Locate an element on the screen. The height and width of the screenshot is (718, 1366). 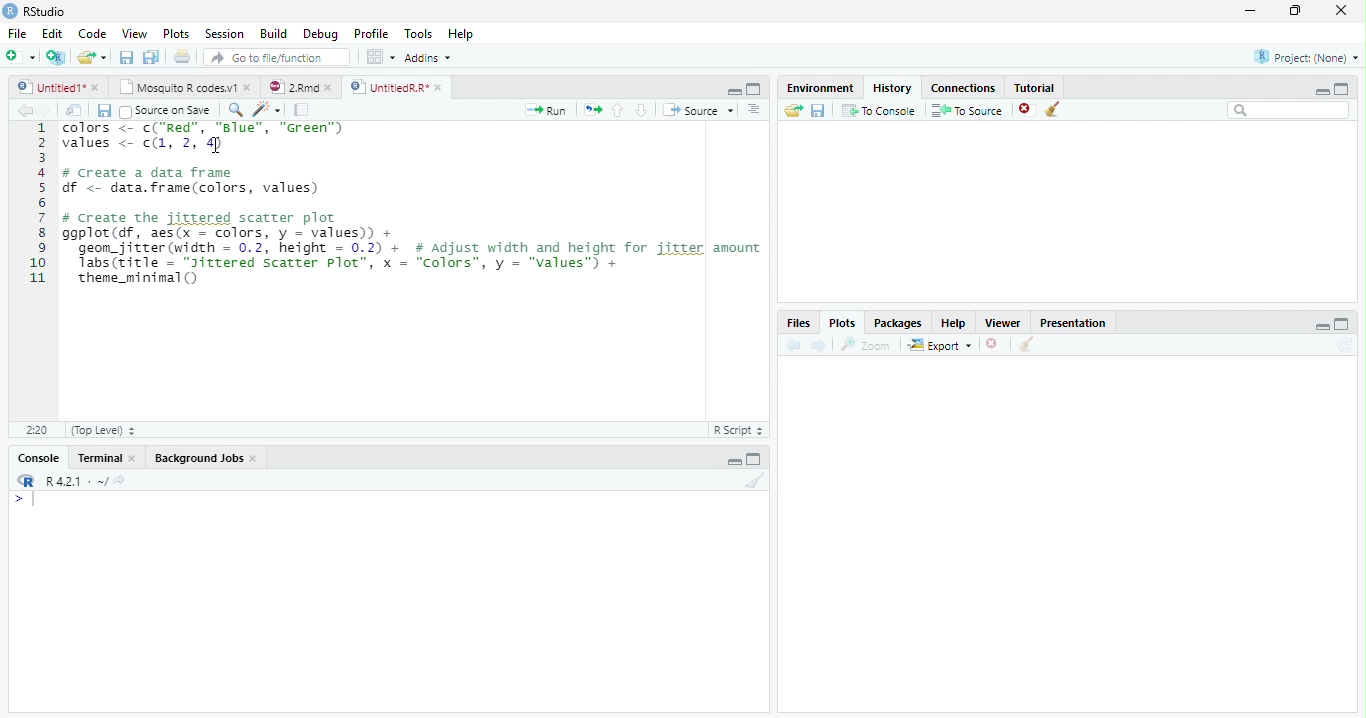
Open an existing file is located at coordinates (84, 57).